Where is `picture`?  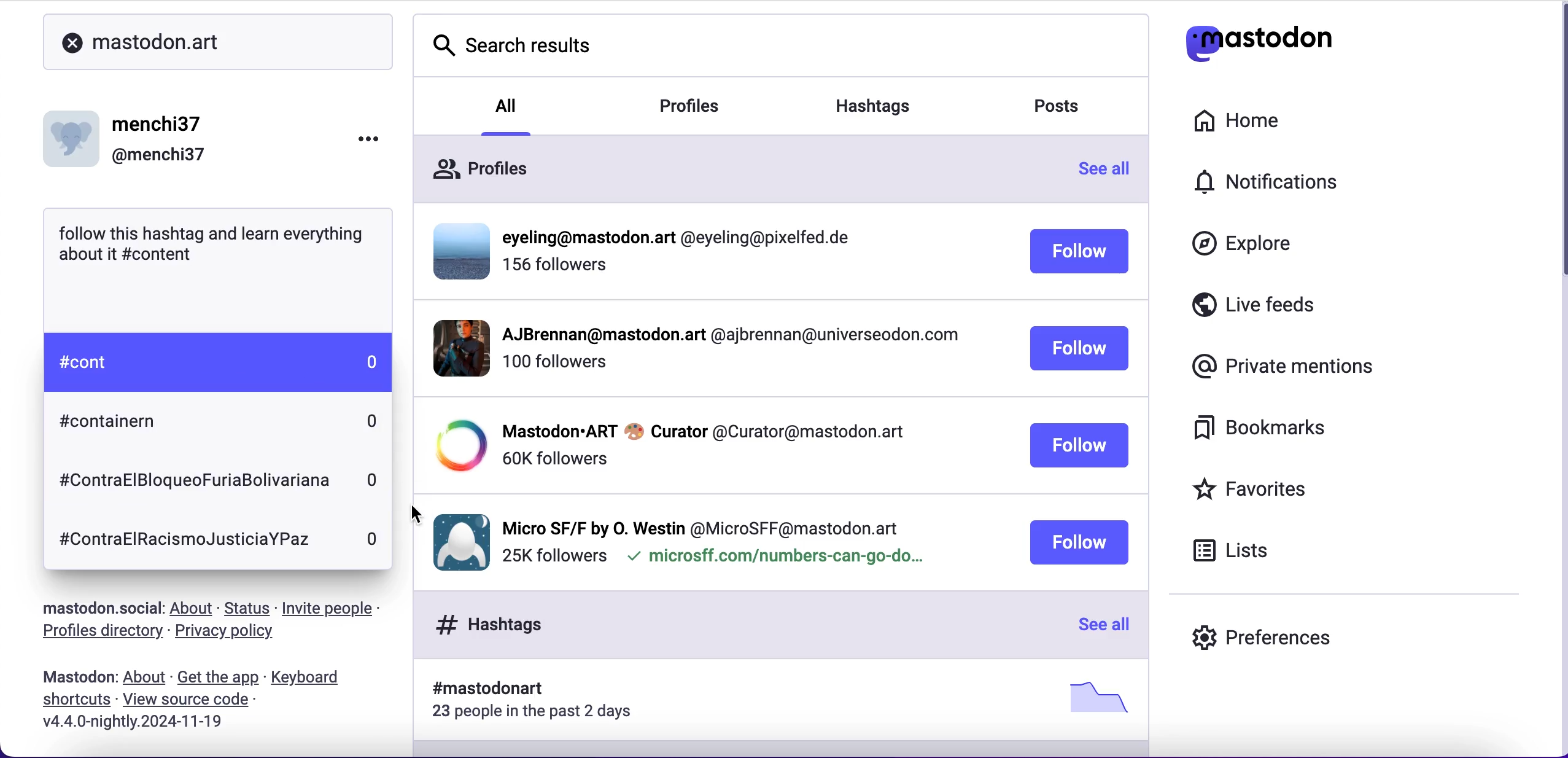
picture is located at coordinates (1093, 697).